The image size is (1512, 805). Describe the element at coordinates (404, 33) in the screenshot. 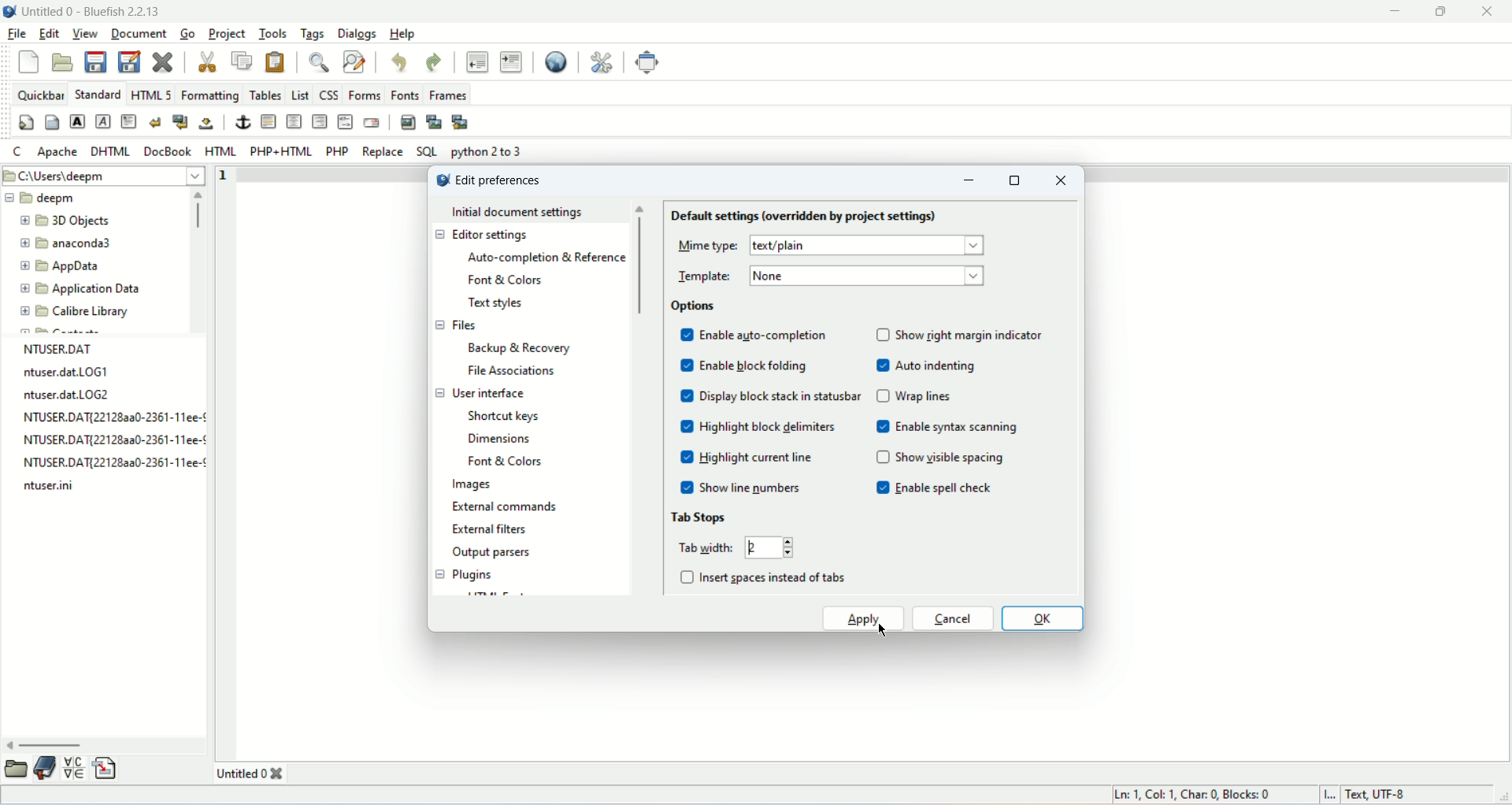

I see `help` at that location.